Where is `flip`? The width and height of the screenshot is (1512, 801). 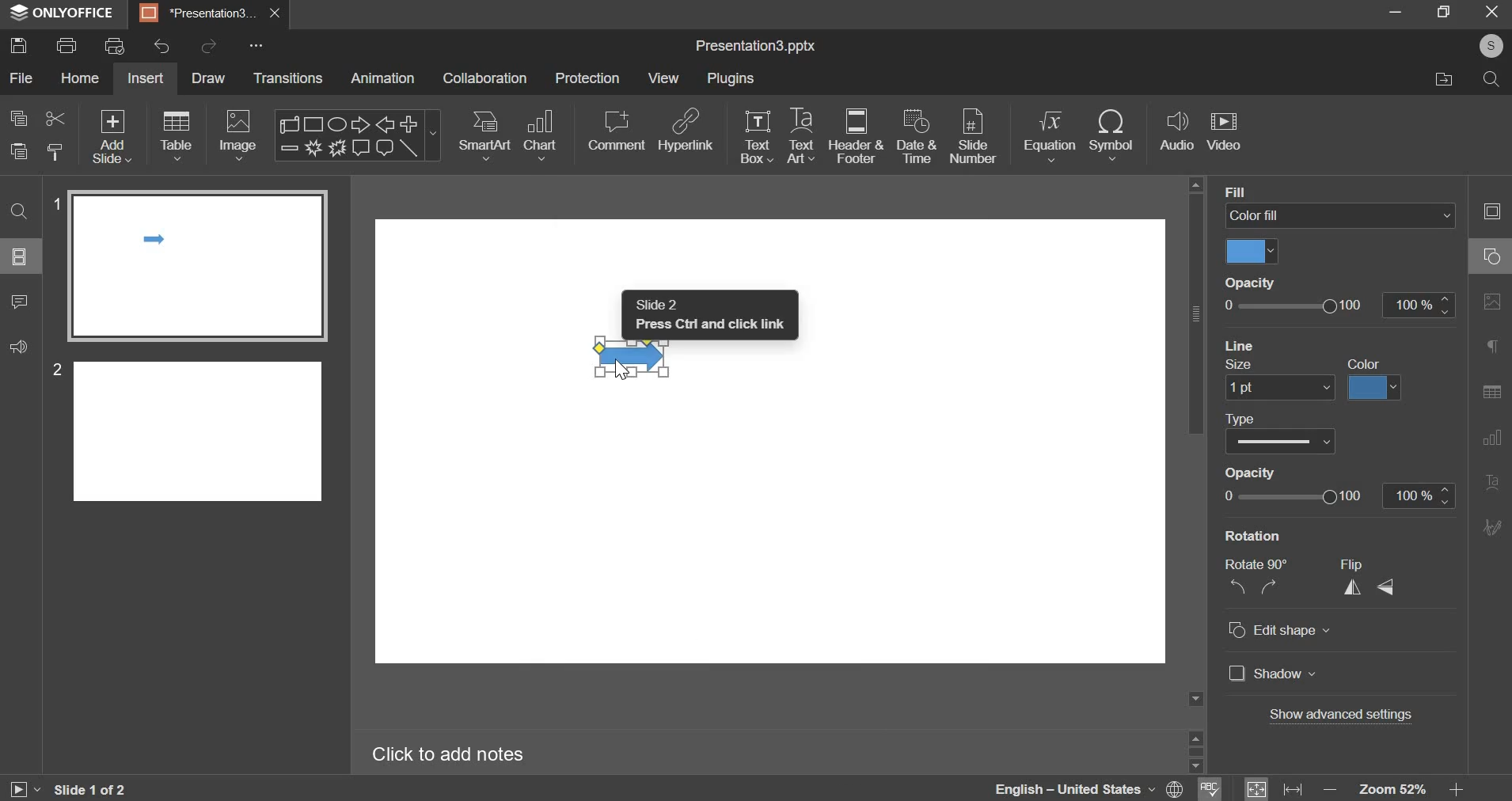 flip is located at coordinates (1351, 565).